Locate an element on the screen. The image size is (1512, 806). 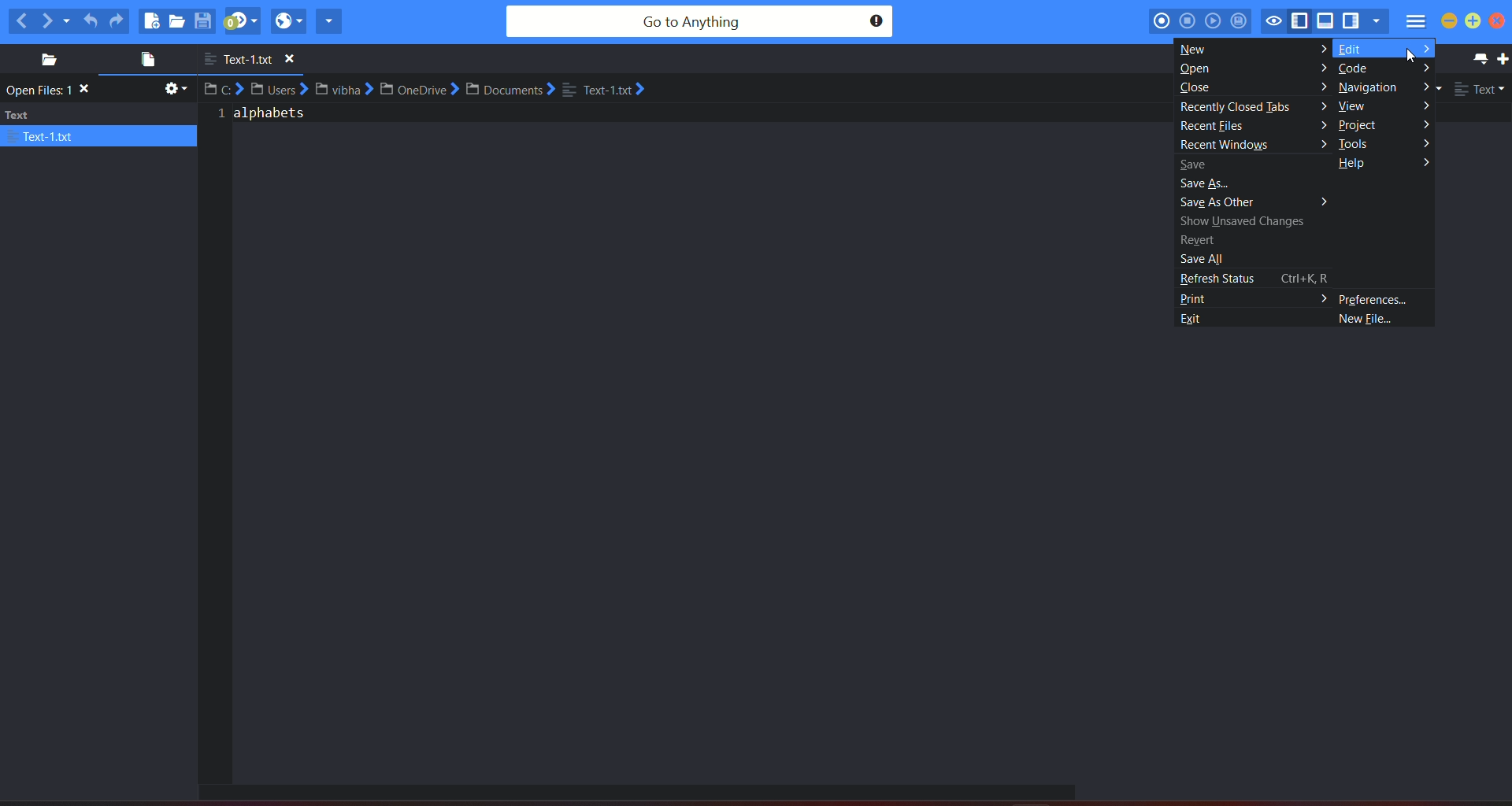
More is located at coordinates (1425, 164).